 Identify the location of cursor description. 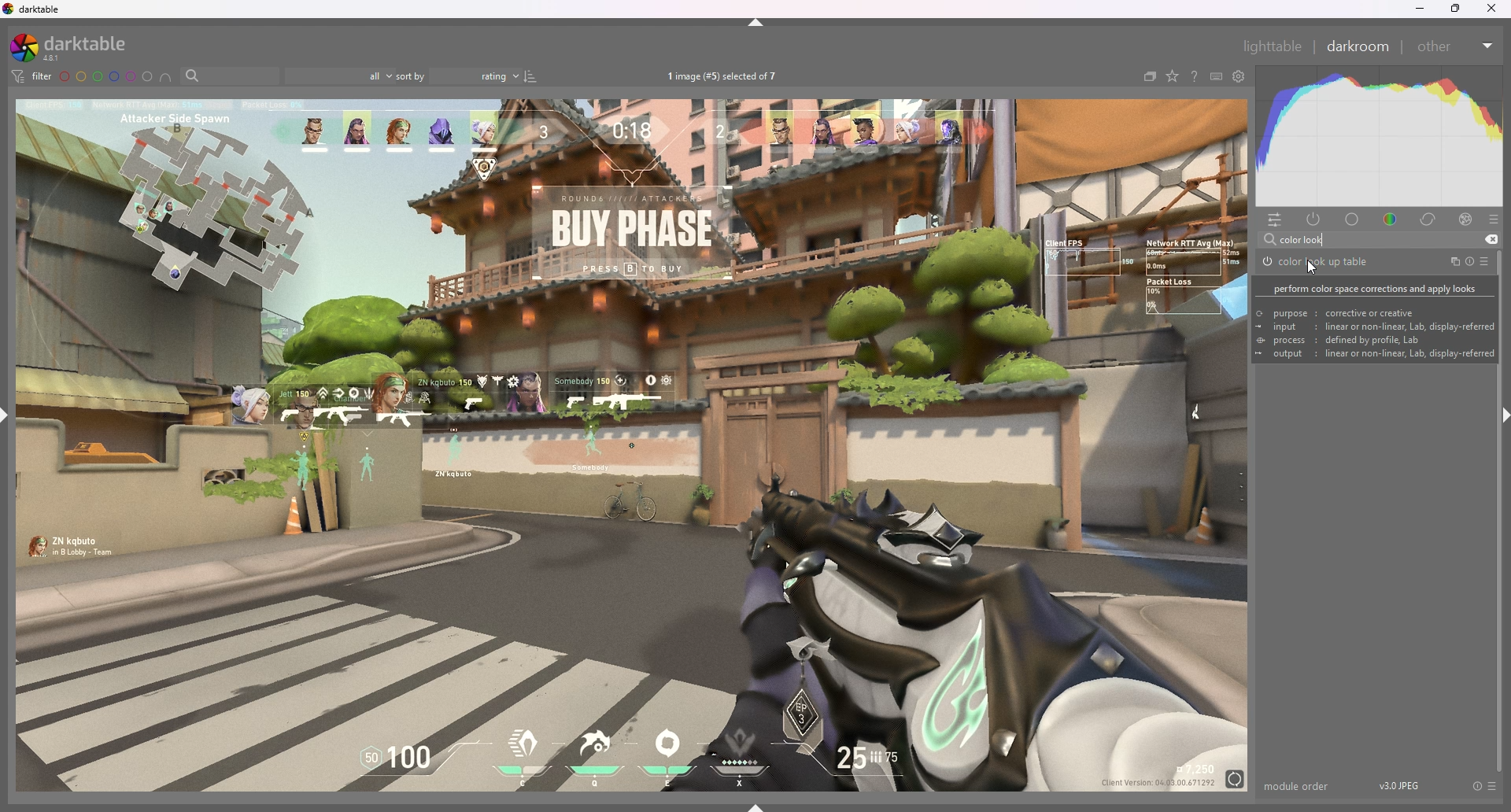
(1372, 318).